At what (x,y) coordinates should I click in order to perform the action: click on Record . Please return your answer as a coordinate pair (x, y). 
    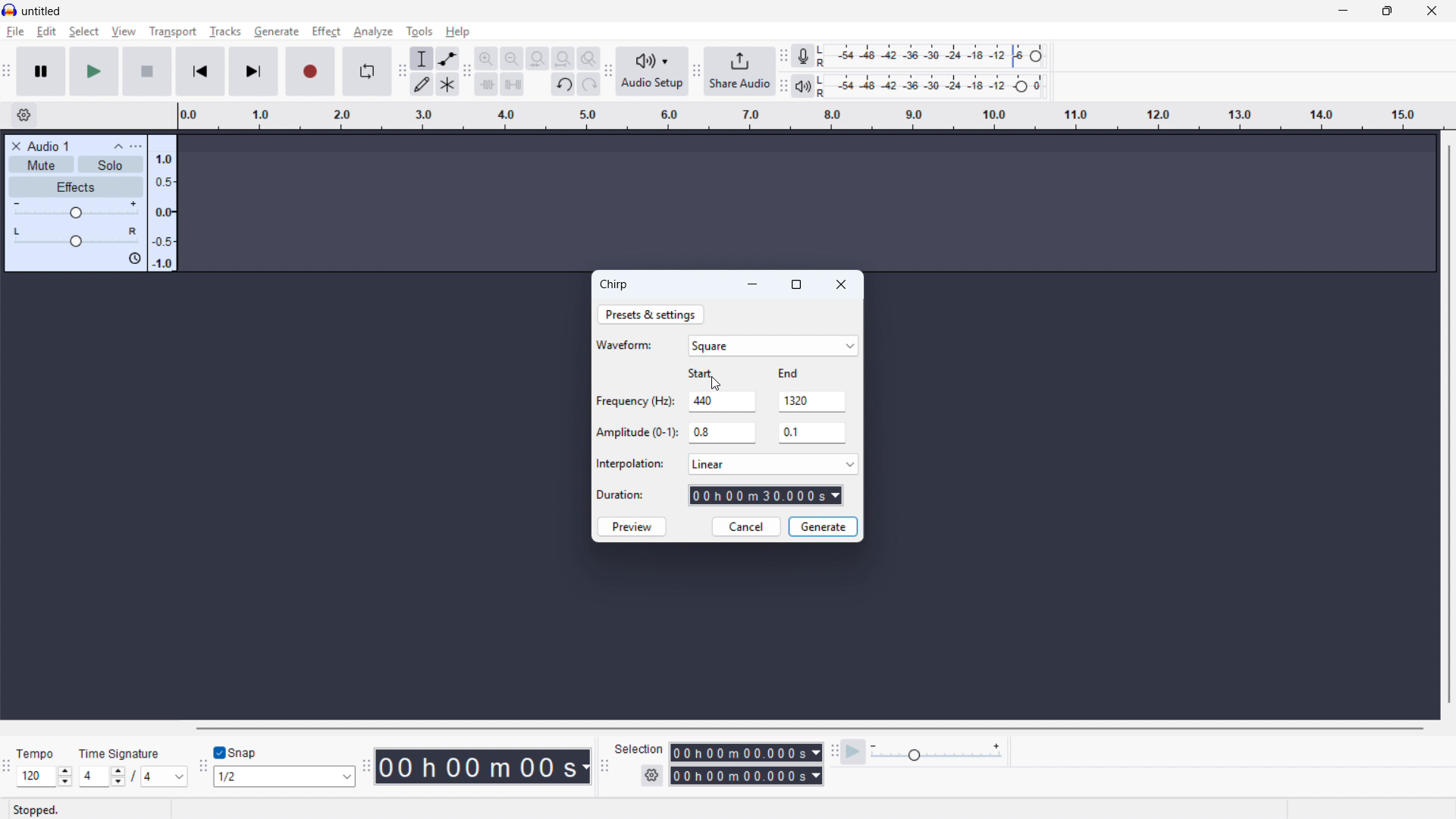
    Looking at the image, I should click on (311, 71).